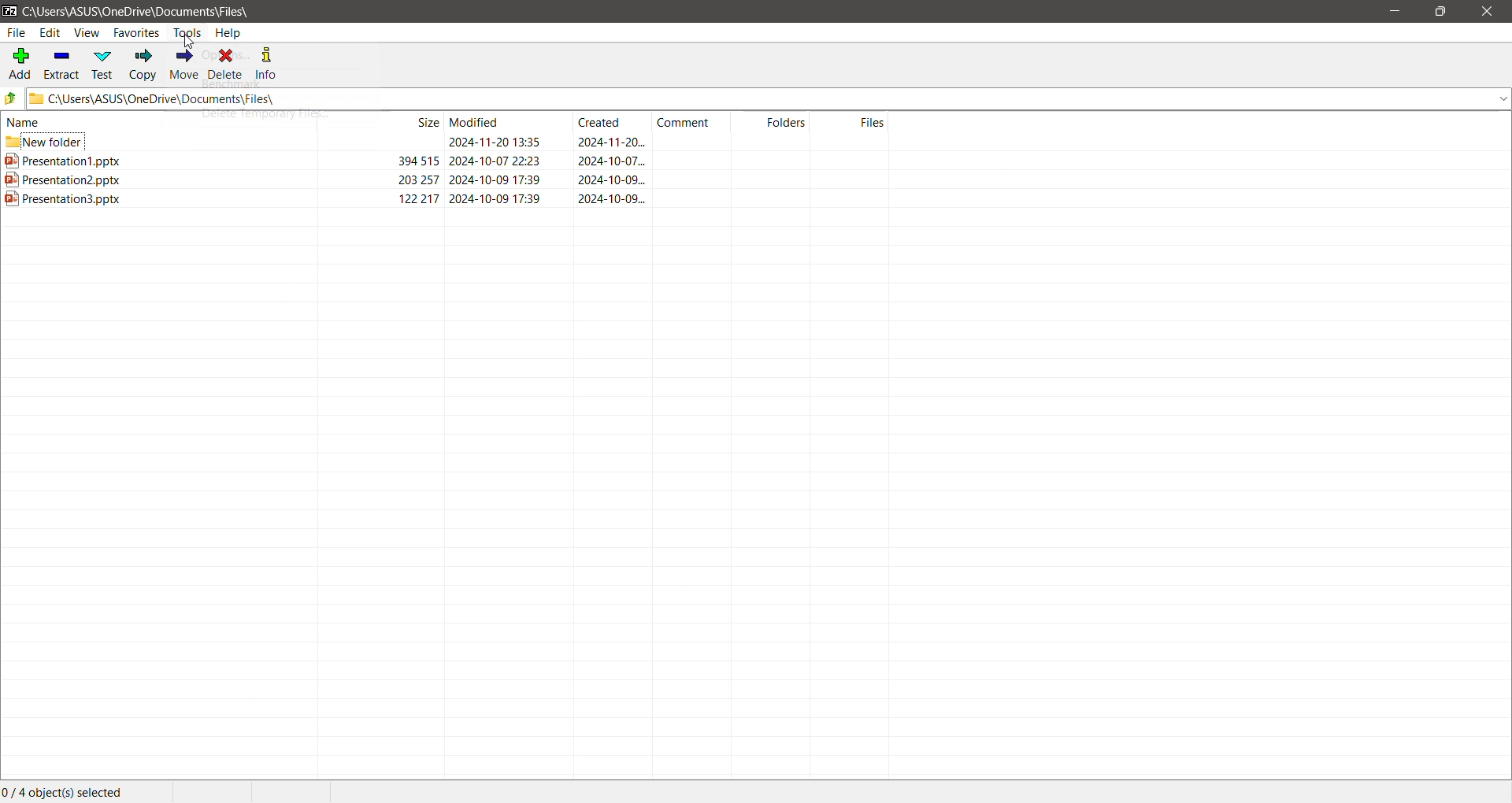  I want to click on Presentation2.pptx, so click(450, 181).